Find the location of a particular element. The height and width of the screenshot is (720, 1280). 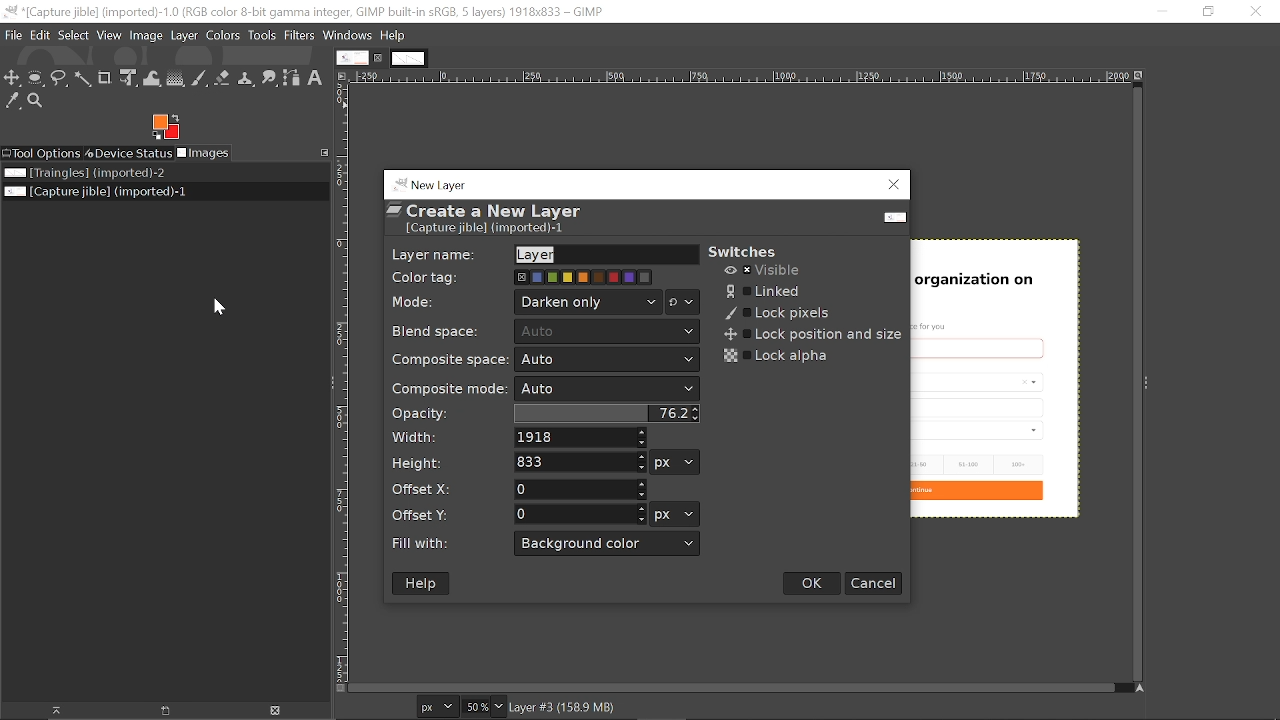

Ok is located at coordinates (812, 582).